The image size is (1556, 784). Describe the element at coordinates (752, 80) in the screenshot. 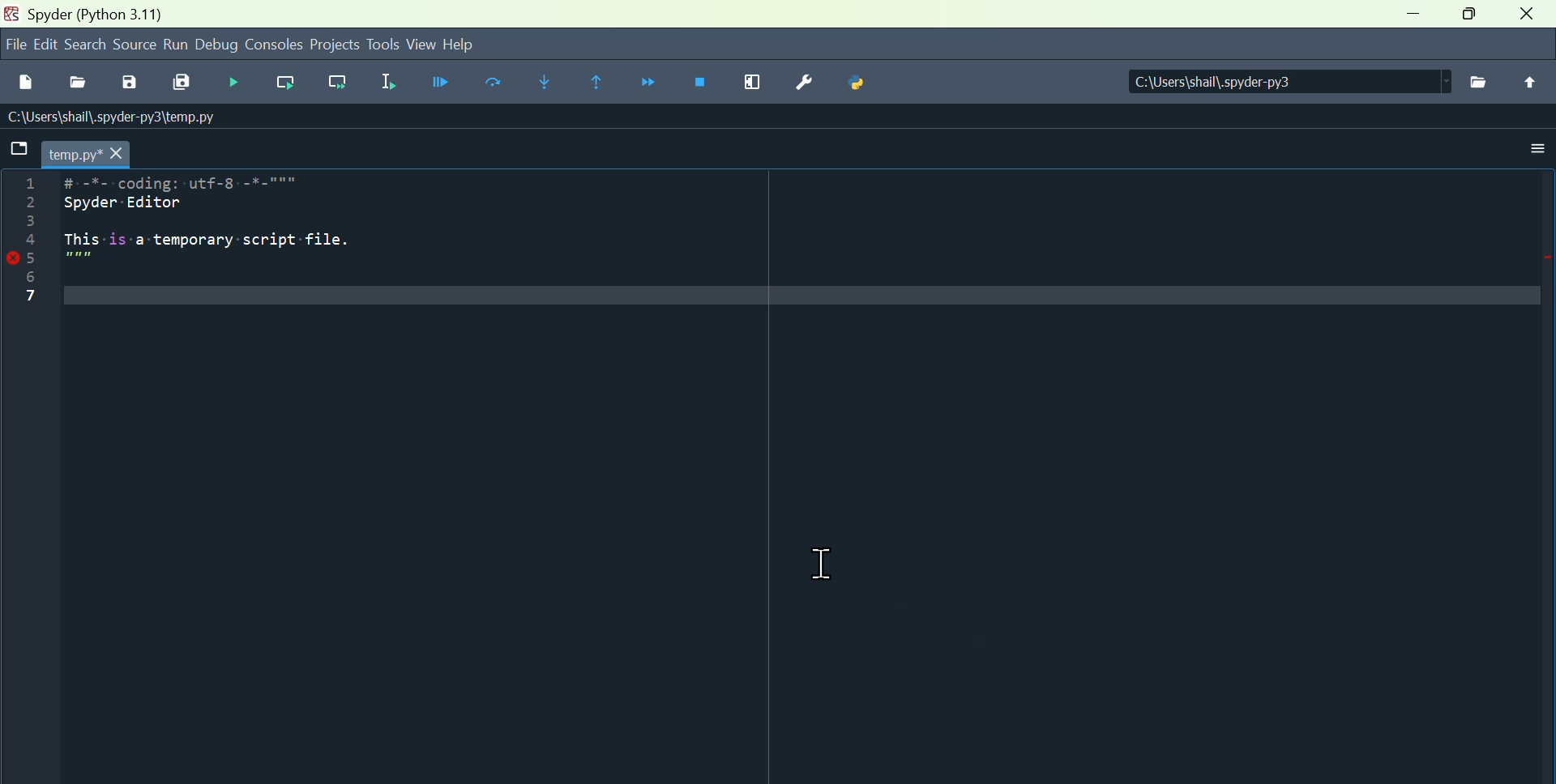

I see `Maximise current window` at that location.